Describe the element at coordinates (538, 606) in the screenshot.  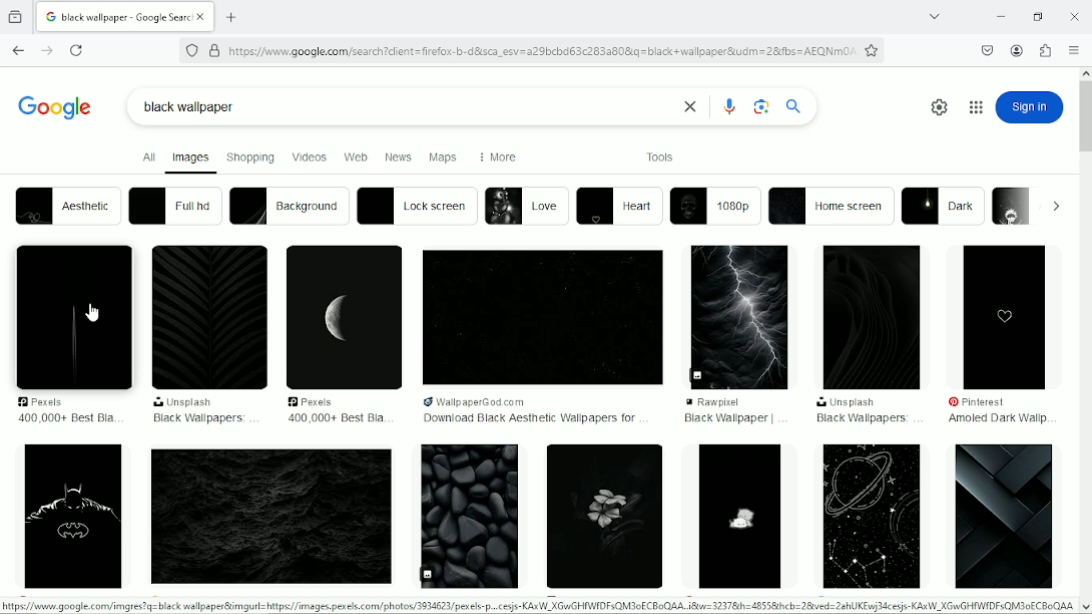
I see `https://www.google.co.in/imgres?q=black%20wallpaper&imgurl=https%3A%2F%2Fimages.pexels.com%2Fphotos%2F695644%2Fpexels-photo-695644.jpeg%3Fcs%3Dsrgb%26dl%3Dpexels-byrahul-695644.jpg%26fm%3Djpg&imgrefurl=https%3A%2F%2Fwww.pexels.com%2Fsearch%2Fblack%2520wallpaper%2F&docid=rPo4bzOHVWDzcM&tbnid=3eOafvdDv6MOfM&vet=12ahUKEwiRnZKm1oiLAxVBrlYBHStNNWIQM3oECGcQAA..i&w=2400&h=1600&hcb=2&ved=2ahUKEwiRnZKm1oiLAxVBrlYBHStNNWIQM3oECGcQAA` at that location.